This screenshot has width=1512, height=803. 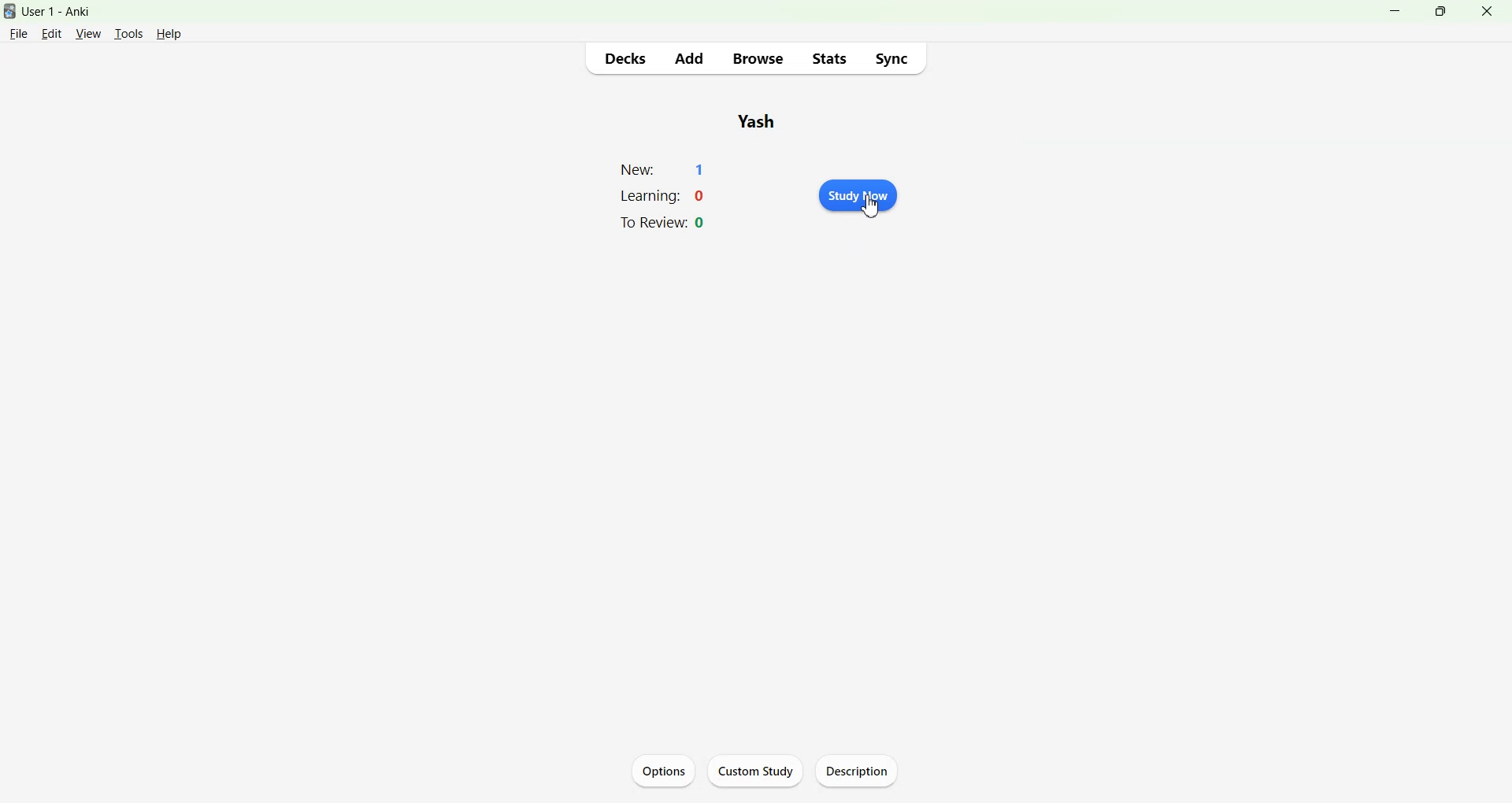 What do you see at coordinates (871, 206) in the screenshot?
I see `Cursor` at bounding box center [871, 206].